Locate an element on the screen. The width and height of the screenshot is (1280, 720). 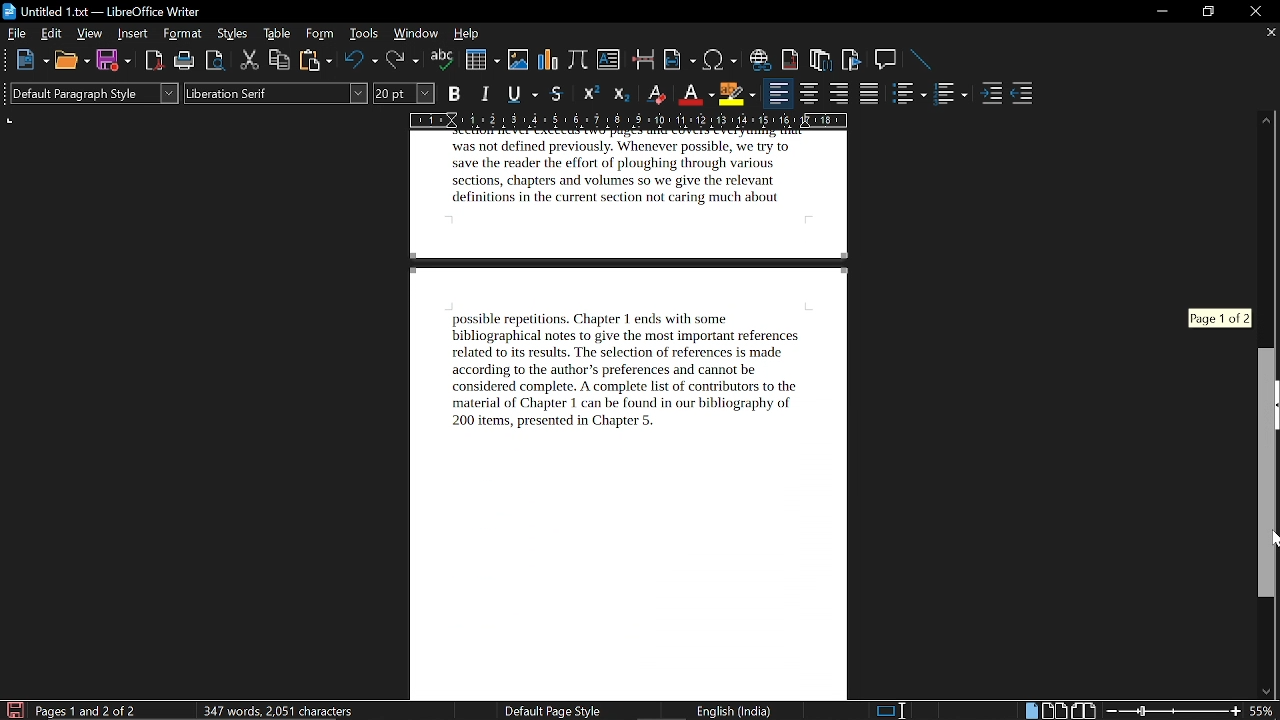
minimize is located at coordinates (1162, 12).